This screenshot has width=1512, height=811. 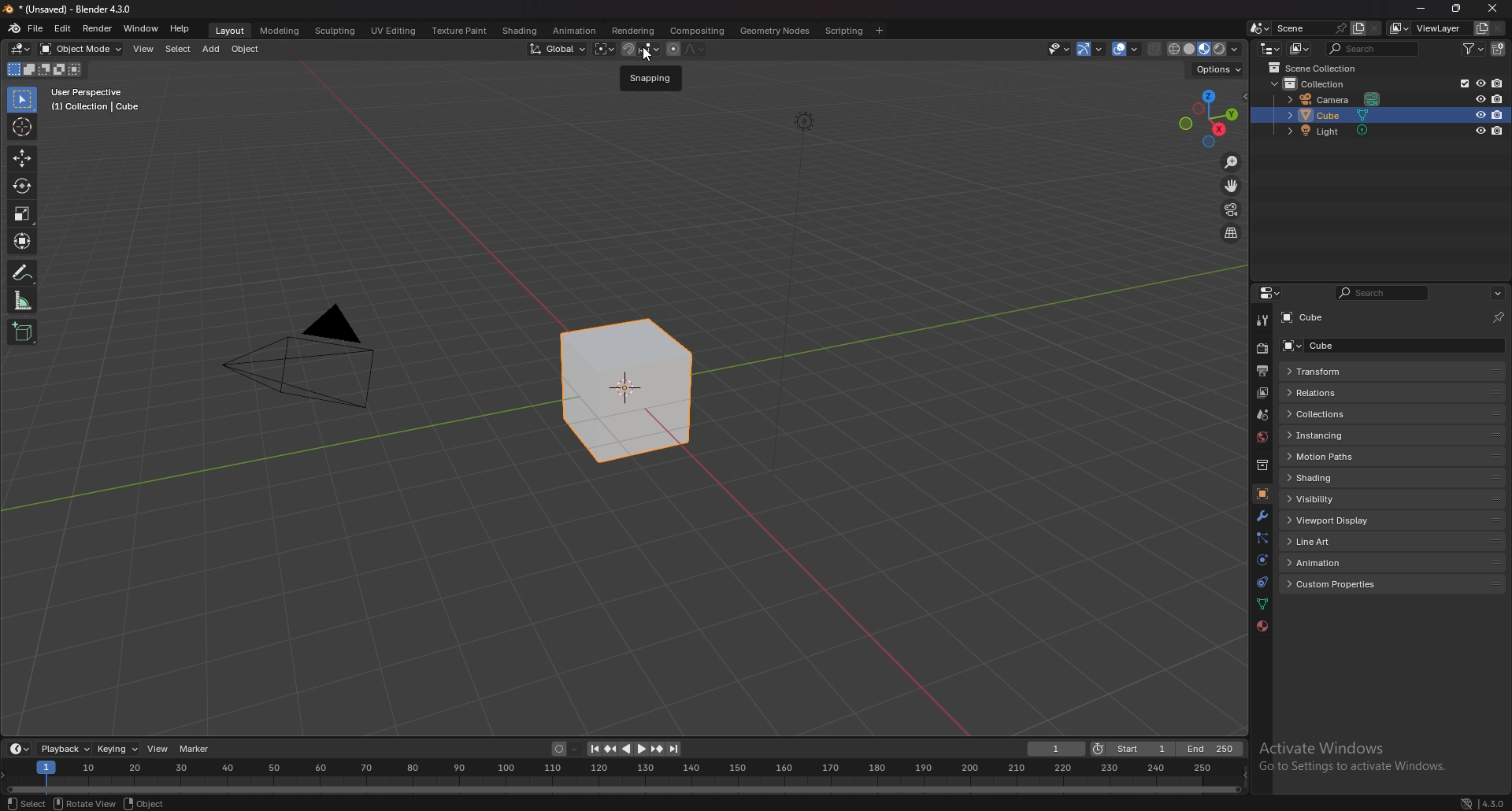 What do you see at coordinates (695, 49) in the screenshot?
I see `proportional editing fall off` at bounding box center [695, 49].